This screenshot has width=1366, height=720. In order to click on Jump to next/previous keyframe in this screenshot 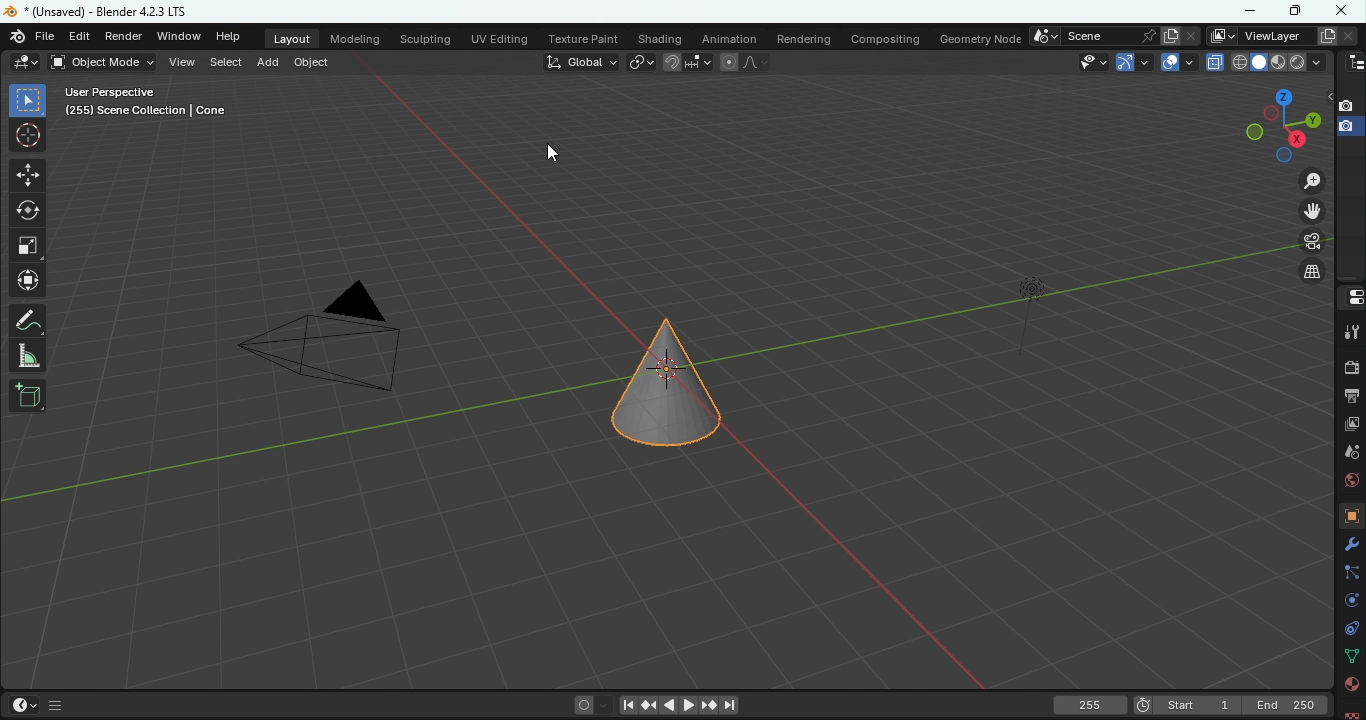, I will do `click(705, 705)`.